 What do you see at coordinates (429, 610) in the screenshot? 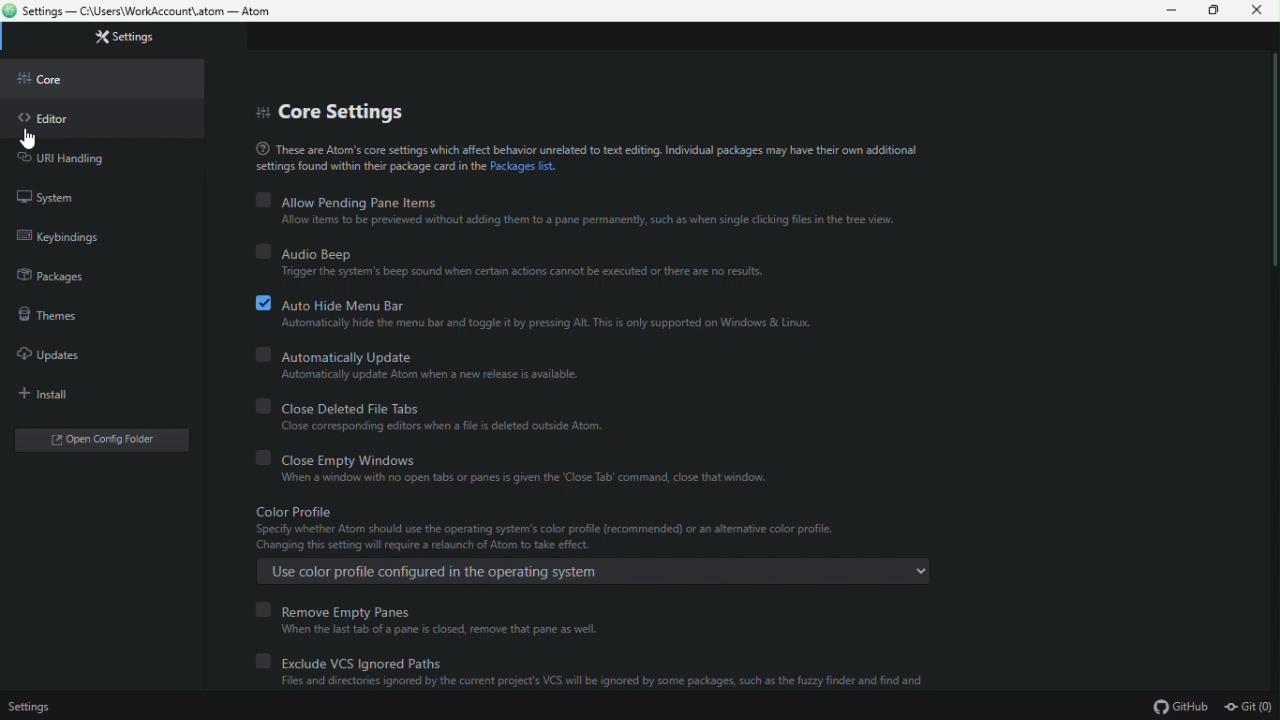
I see `Remove empty panes` at bounding box center [429, 610].